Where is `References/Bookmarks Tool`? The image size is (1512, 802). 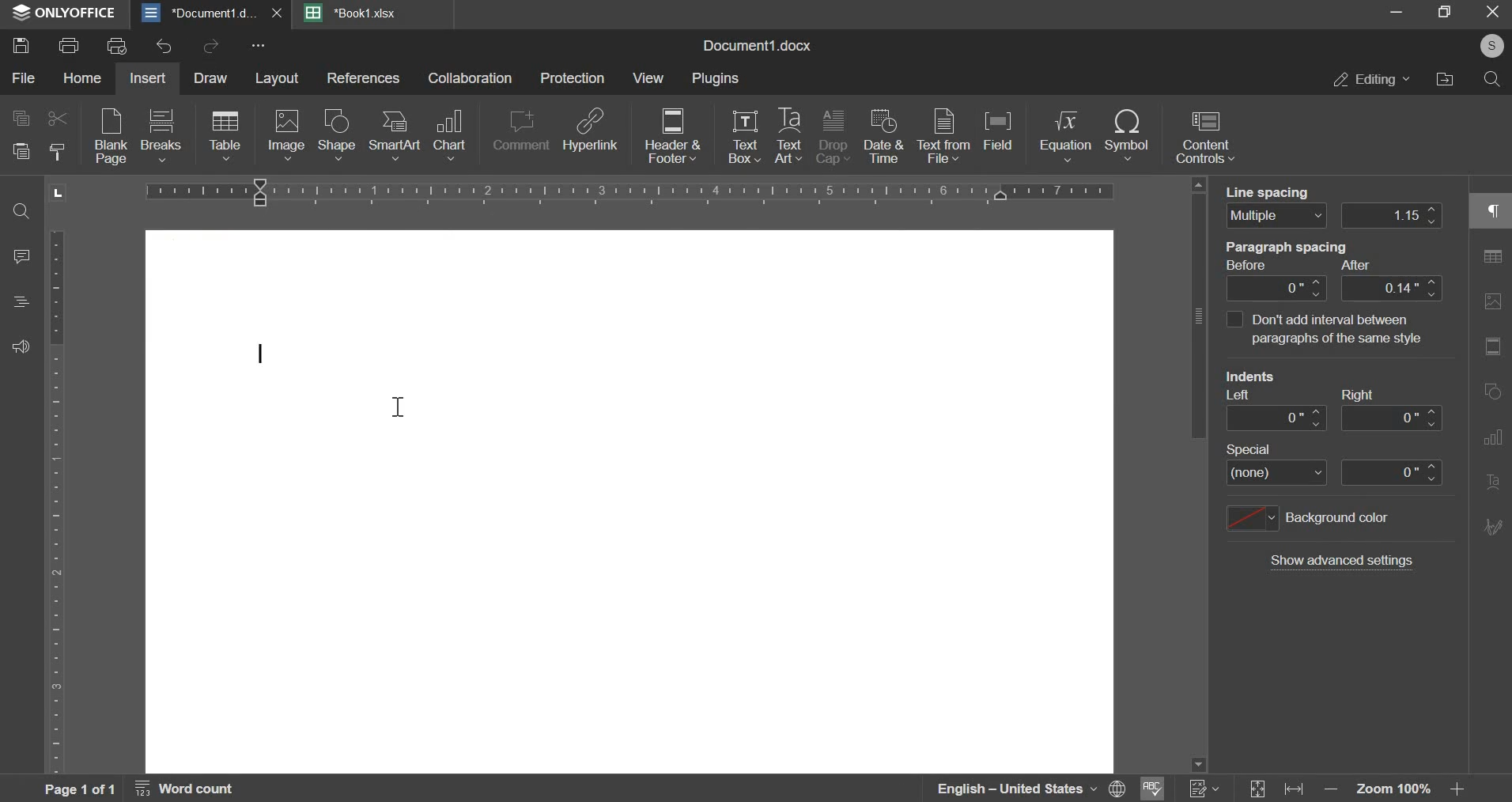
References/Bookmarks Tool is located at coordinates (1490, 528).